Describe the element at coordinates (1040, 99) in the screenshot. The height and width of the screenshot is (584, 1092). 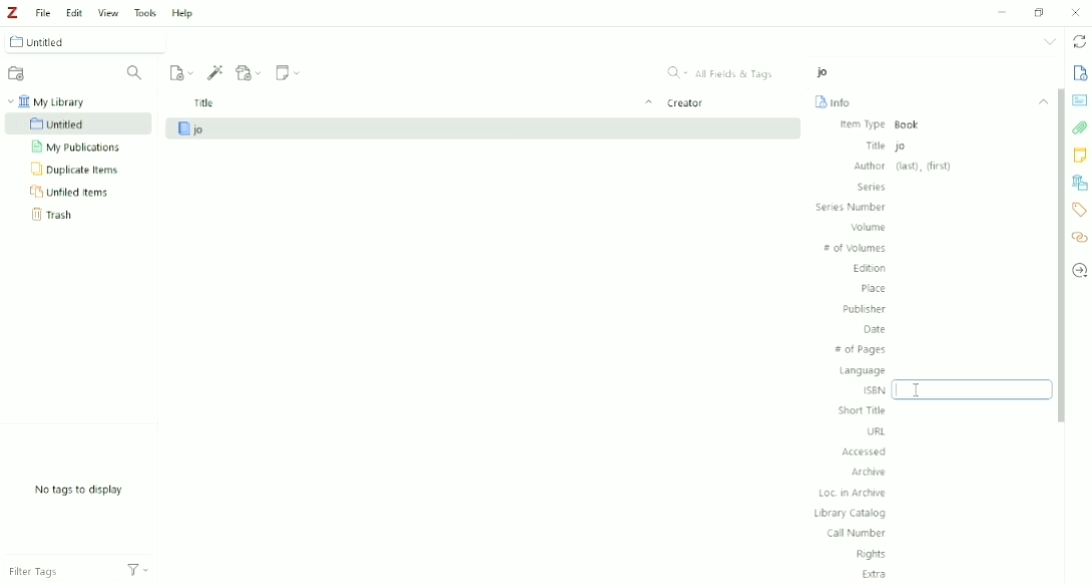
I see `Collapse section` at that location.